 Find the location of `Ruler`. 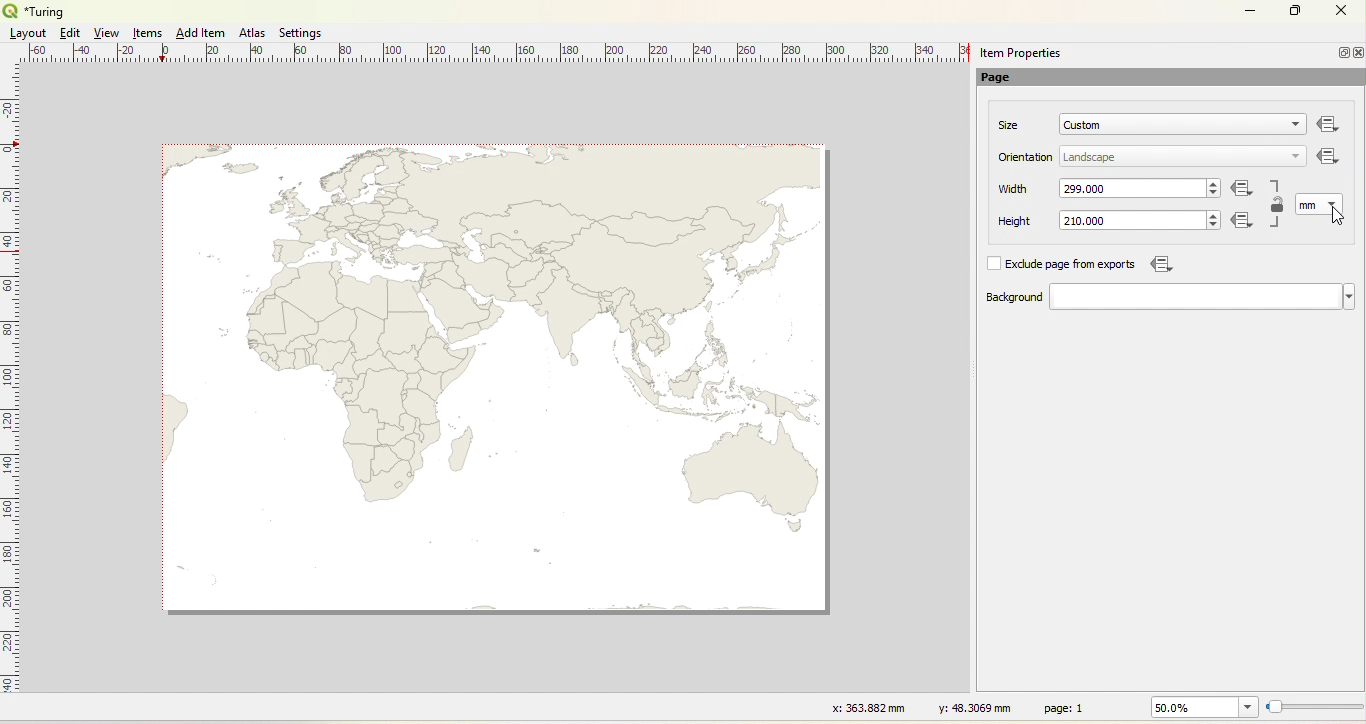

Ruler is located at coordinates (11, 391).